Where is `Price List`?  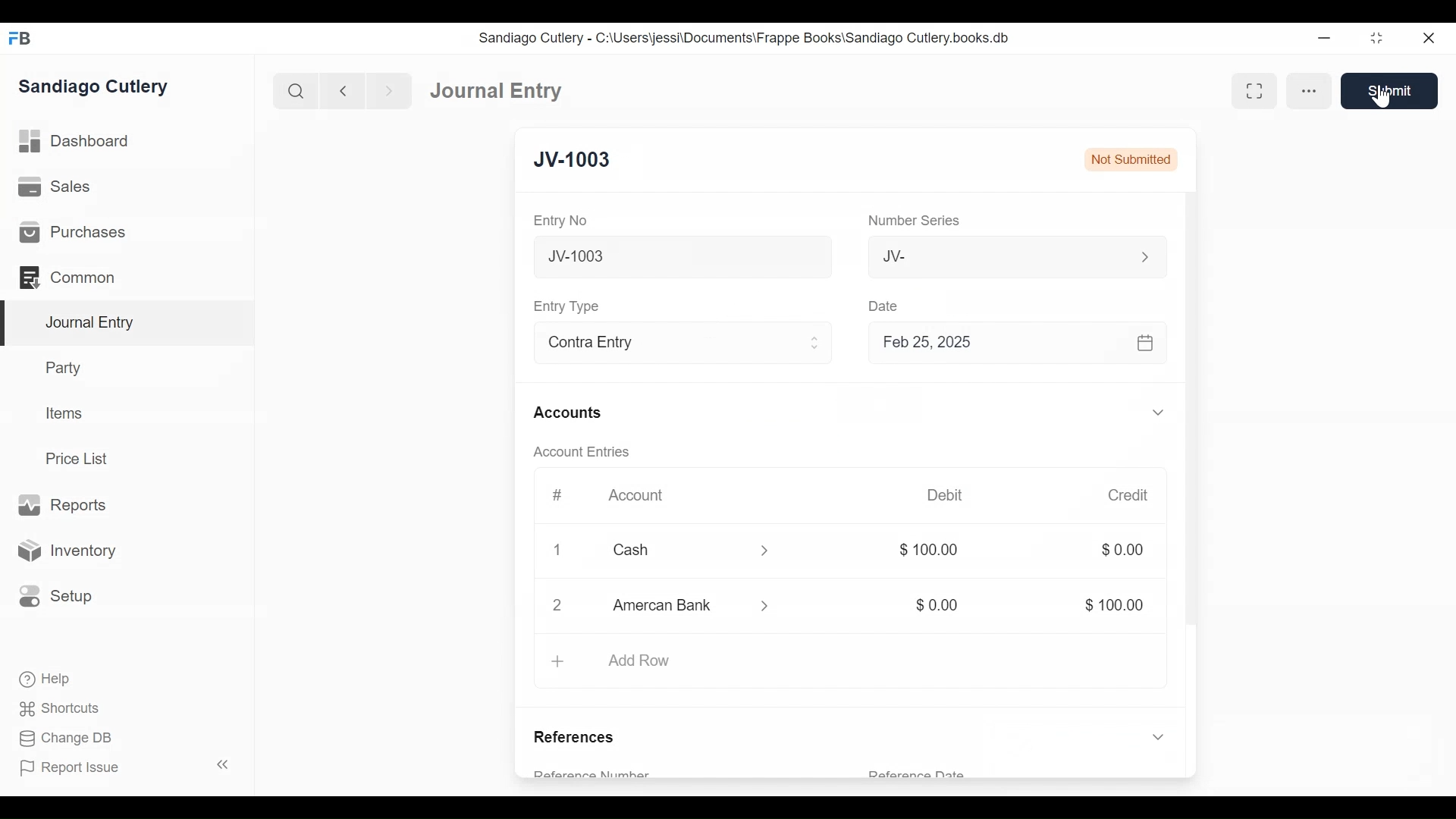 Price List is located at coordinates (80, 458).